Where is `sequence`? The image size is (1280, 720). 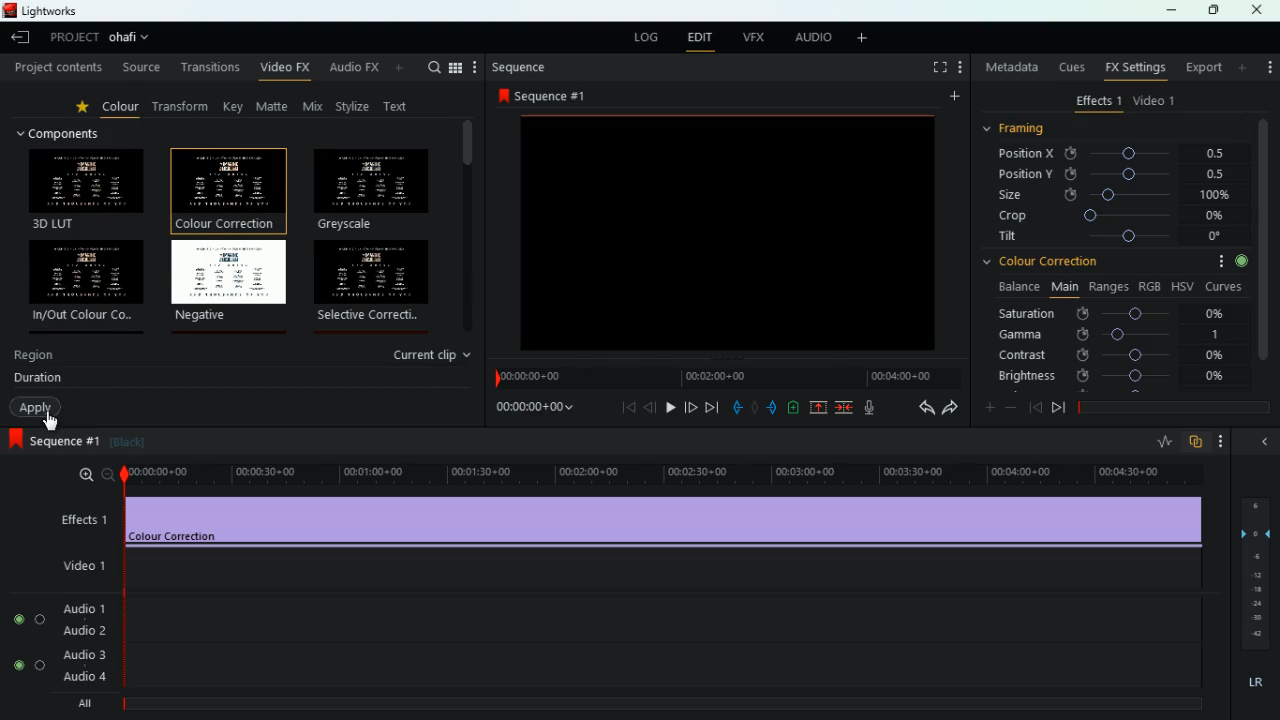
sequence is located at coordinates (75, 441).